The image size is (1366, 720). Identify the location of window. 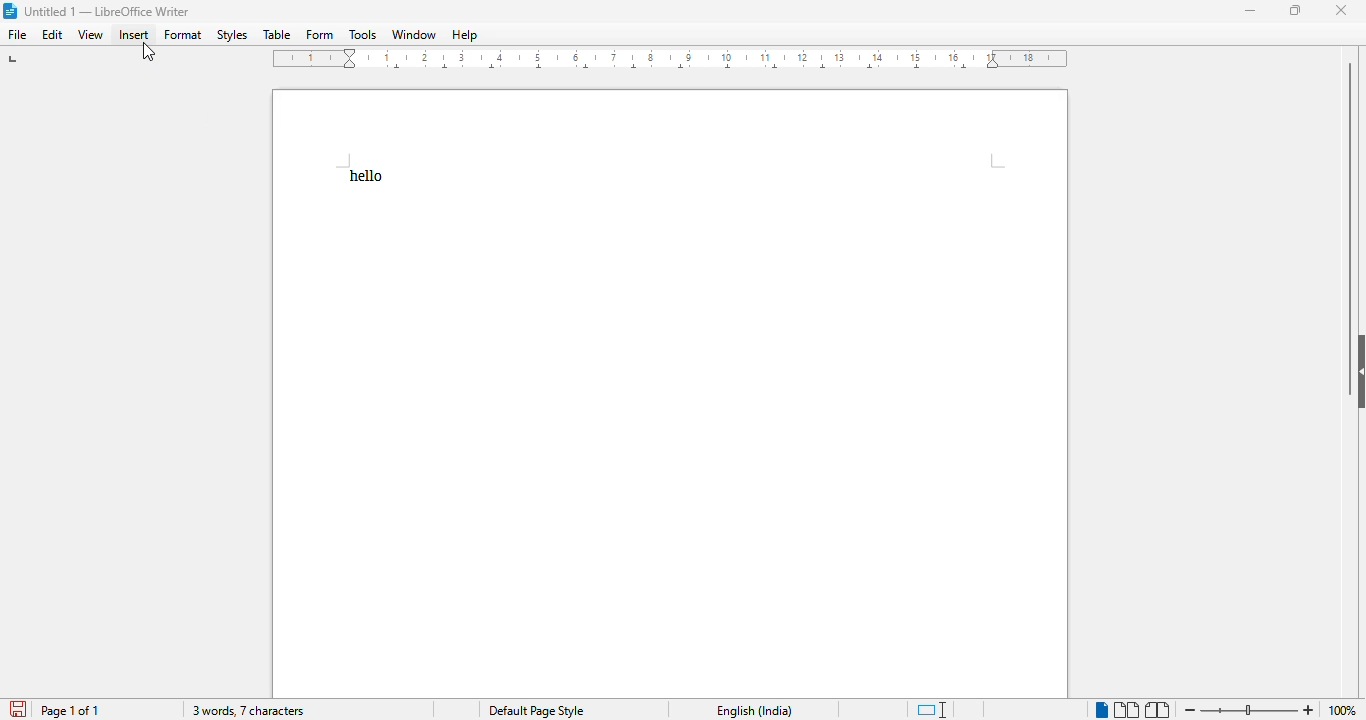
(414, 34).